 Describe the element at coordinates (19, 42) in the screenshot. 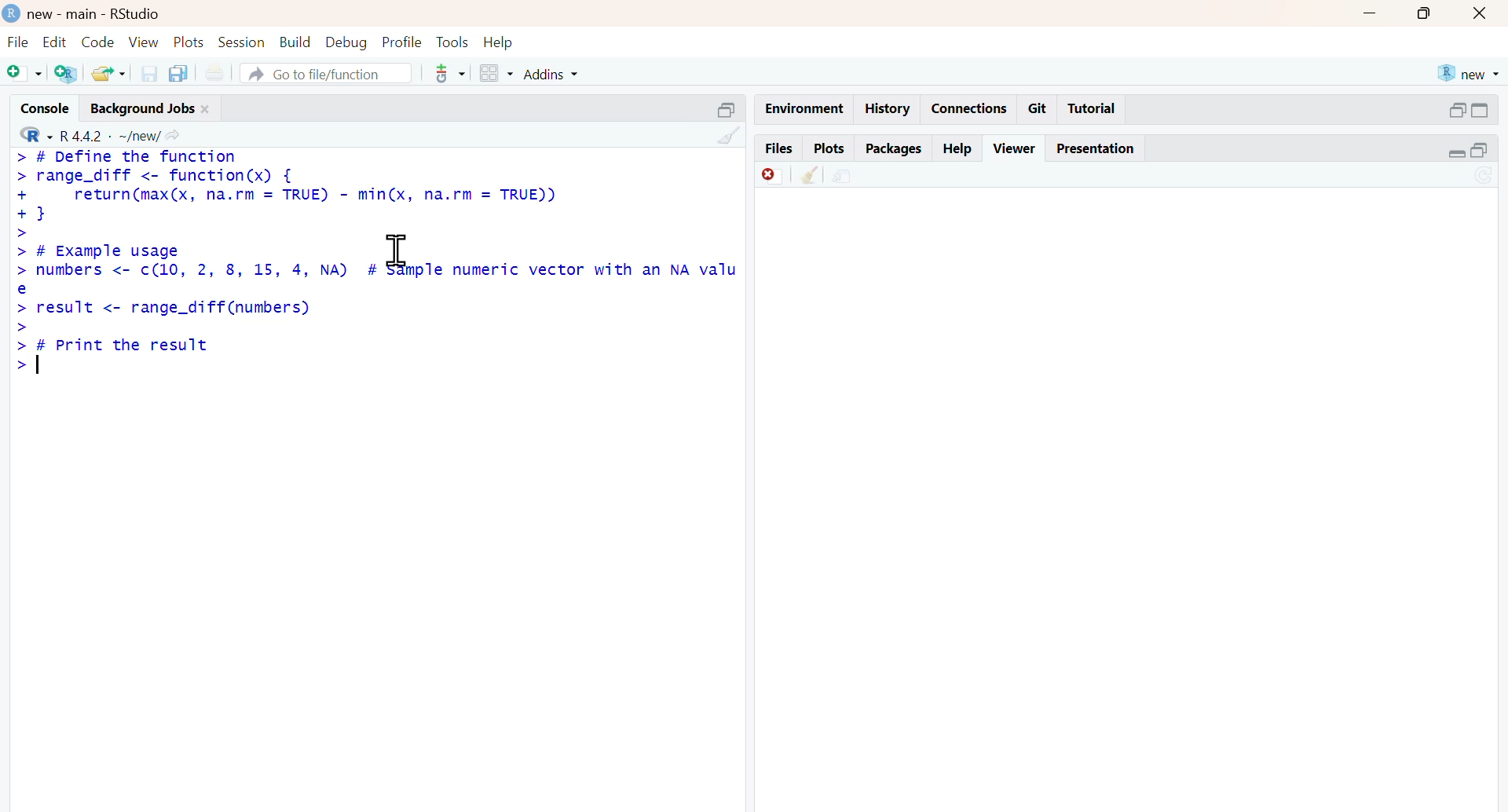

I see `file` at that location.